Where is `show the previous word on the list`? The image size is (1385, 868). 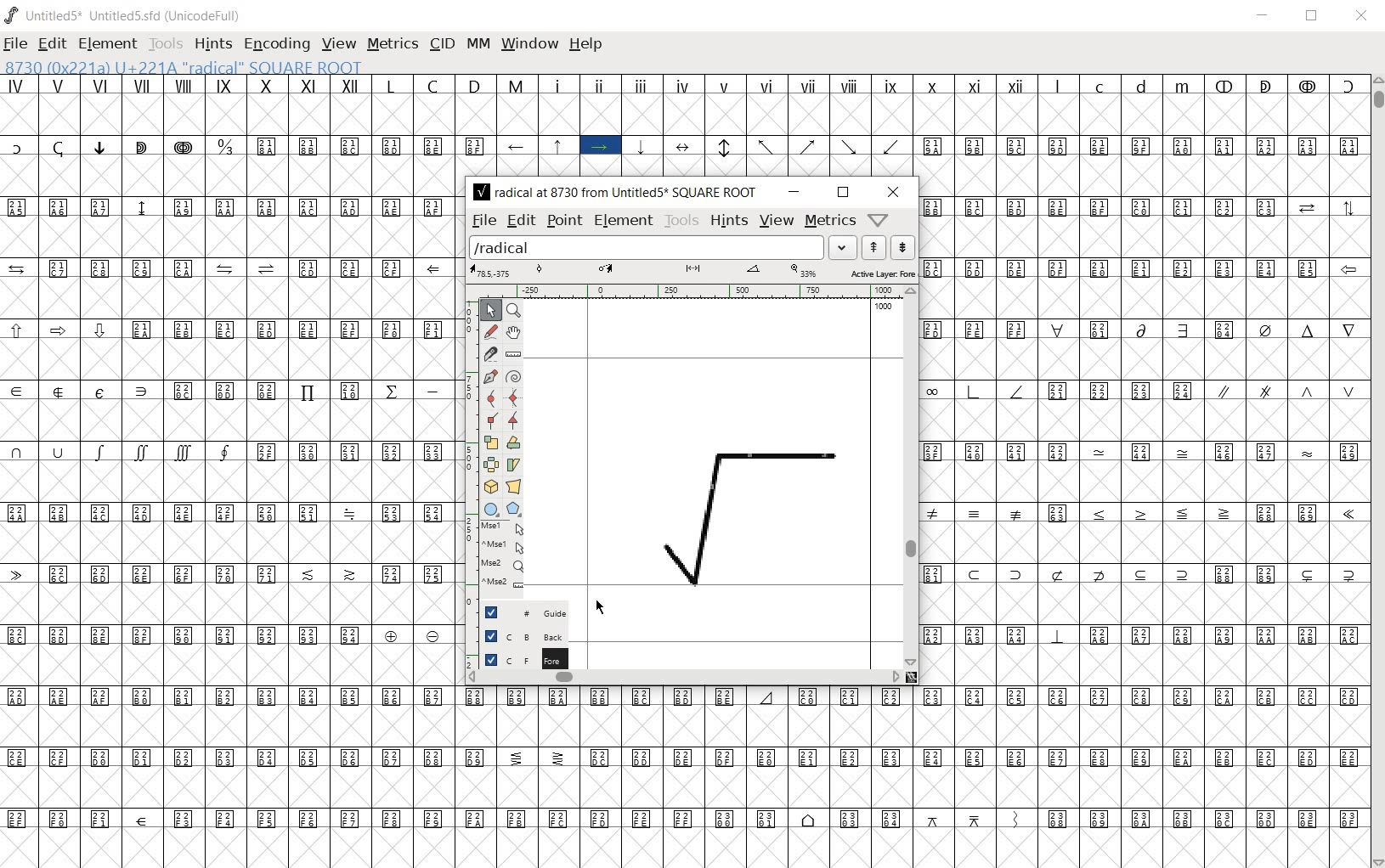 show the previous word on the list is located at coordinates (903, 246).